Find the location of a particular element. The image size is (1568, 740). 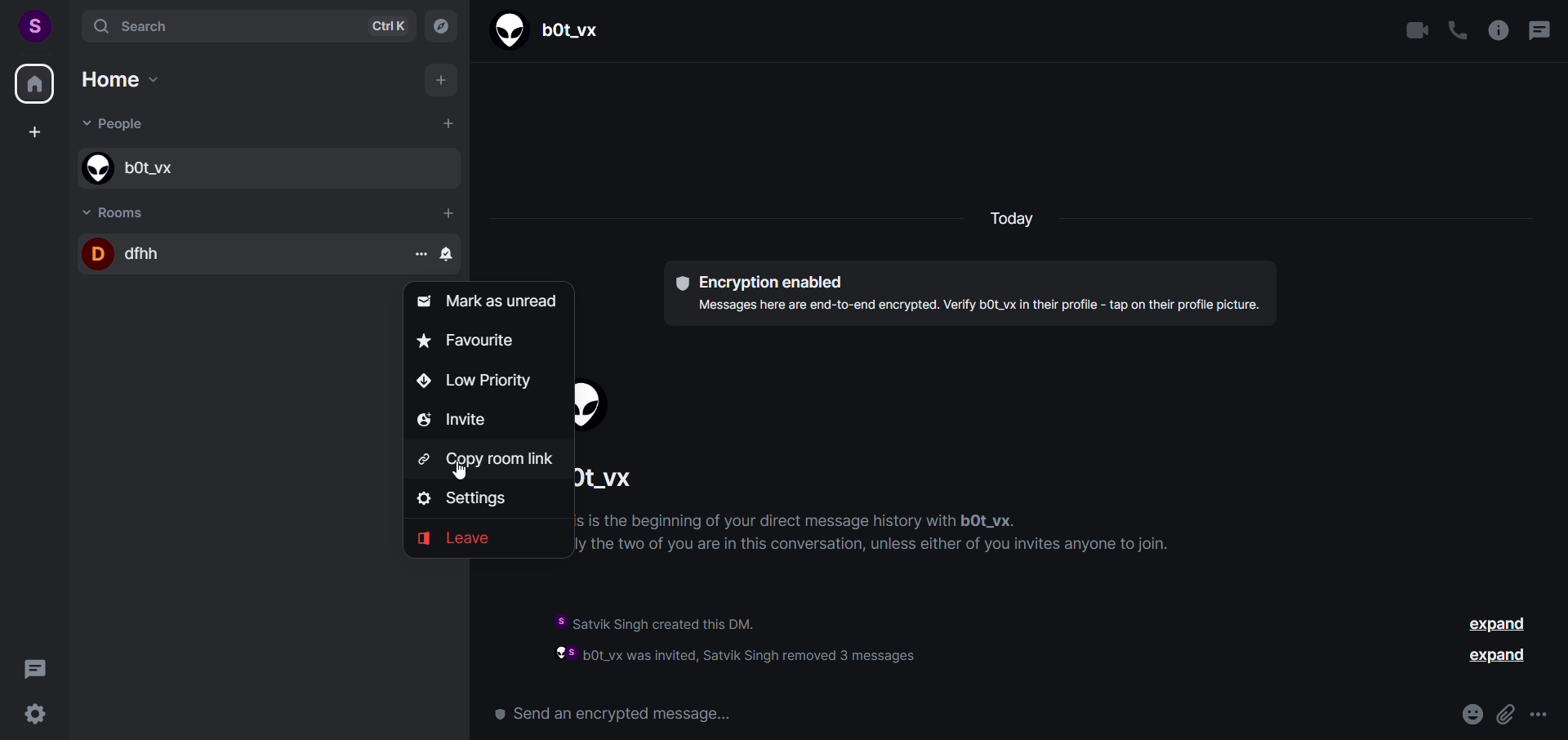

explore is located at coordinates (440, 25).